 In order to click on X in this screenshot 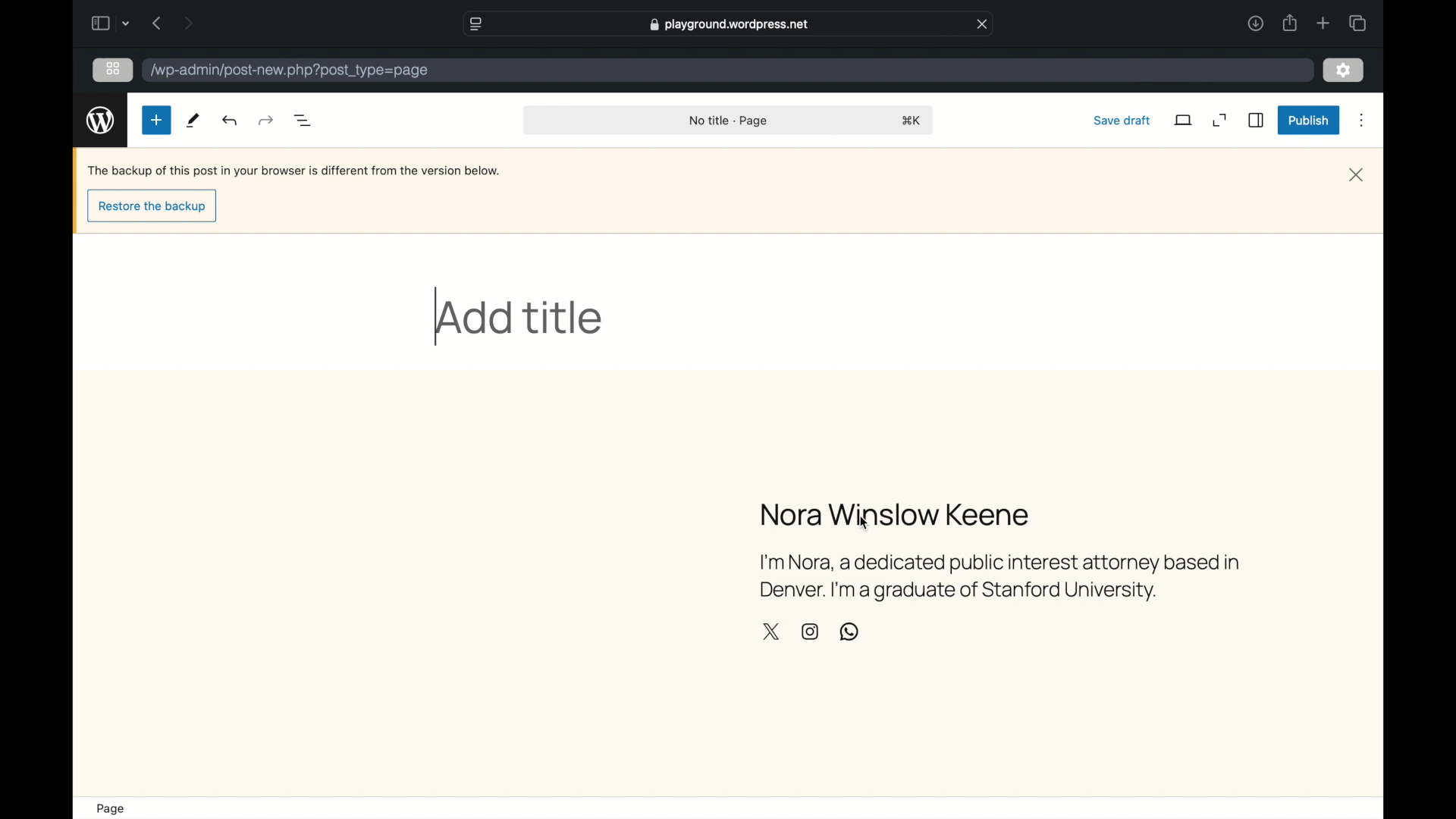, I will do `click(770, 632)`.